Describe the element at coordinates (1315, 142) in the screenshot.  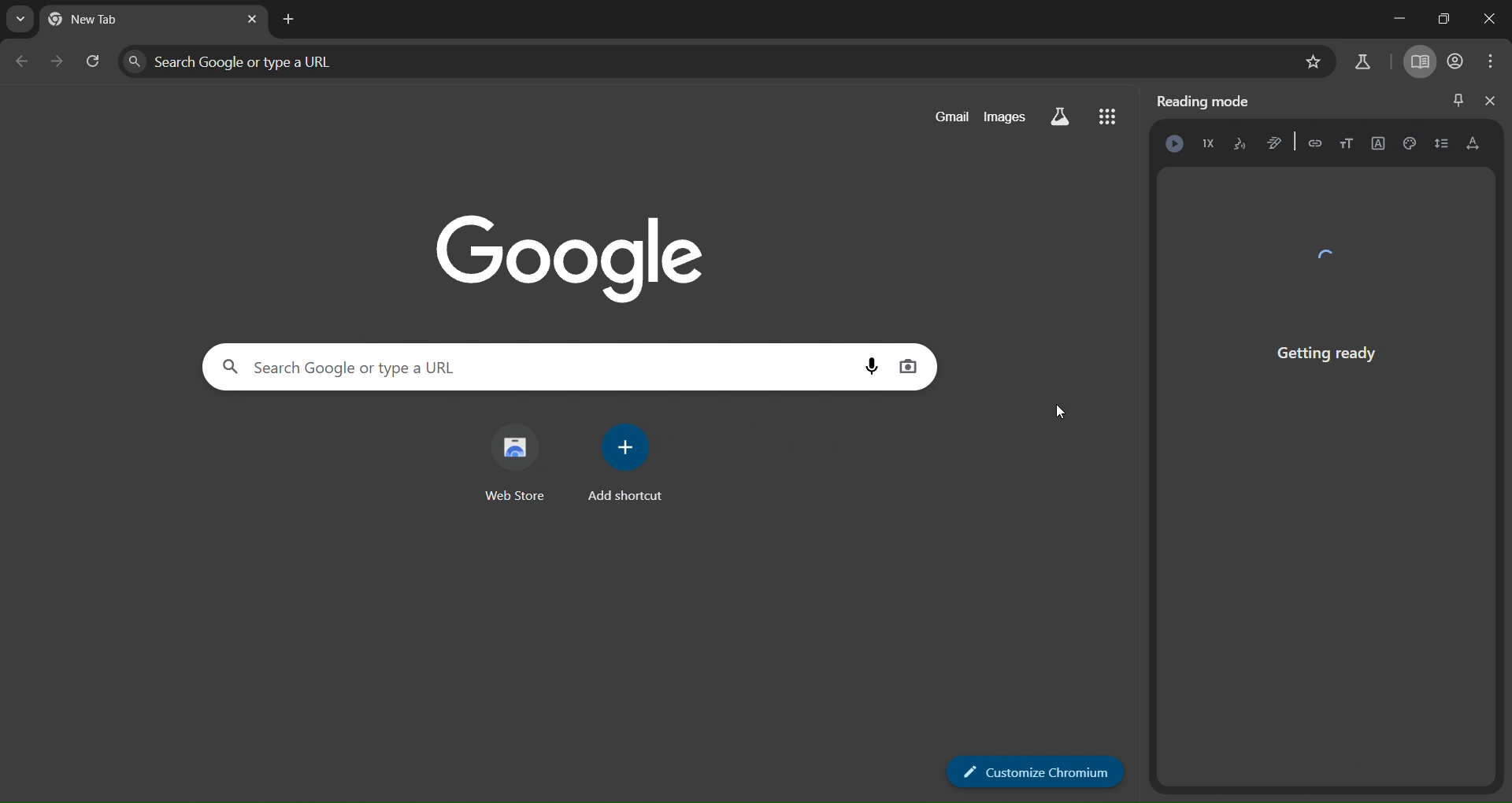
I see `disable links` at that location.